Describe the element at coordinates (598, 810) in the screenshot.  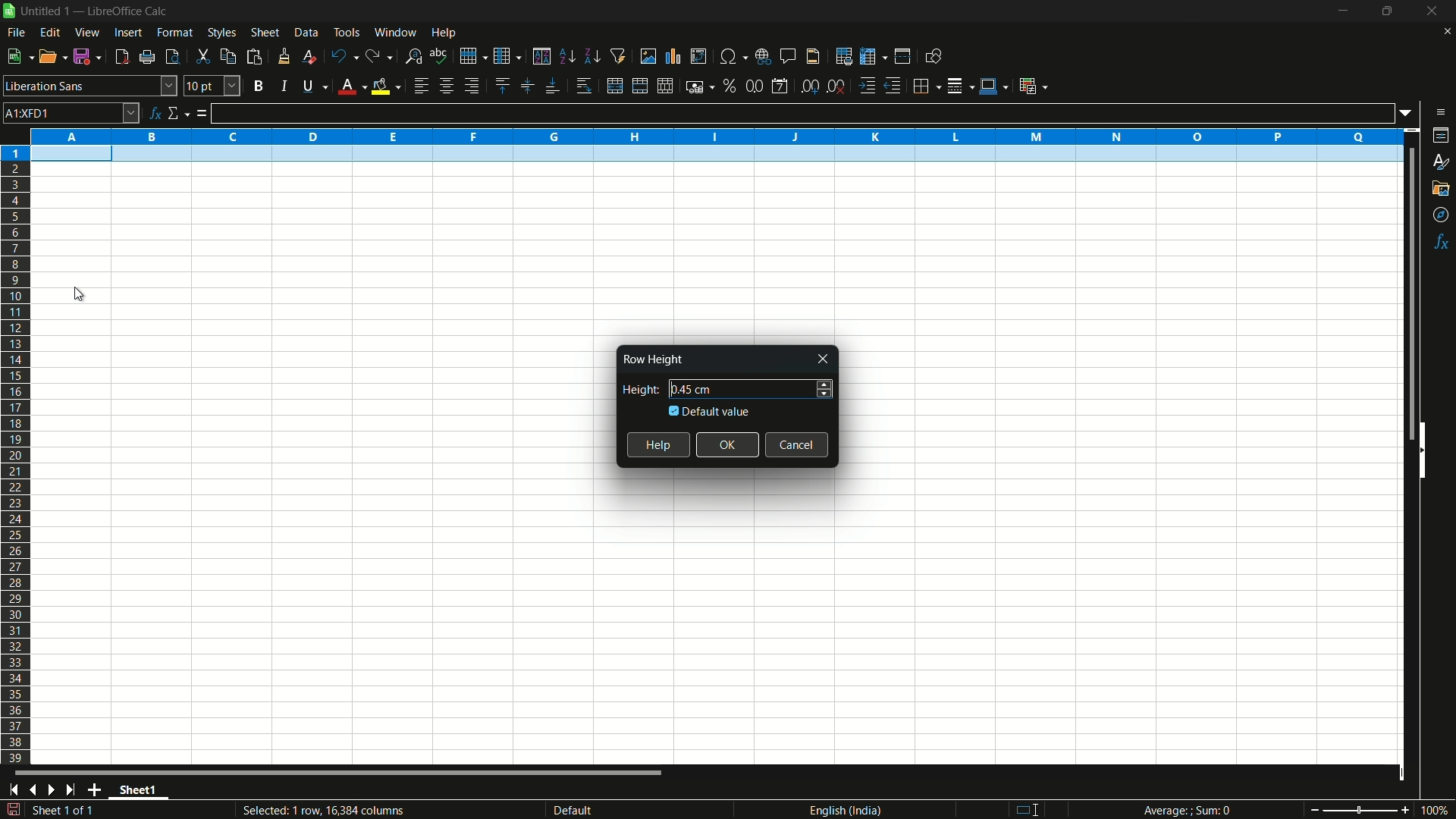
I see `default` at that location.